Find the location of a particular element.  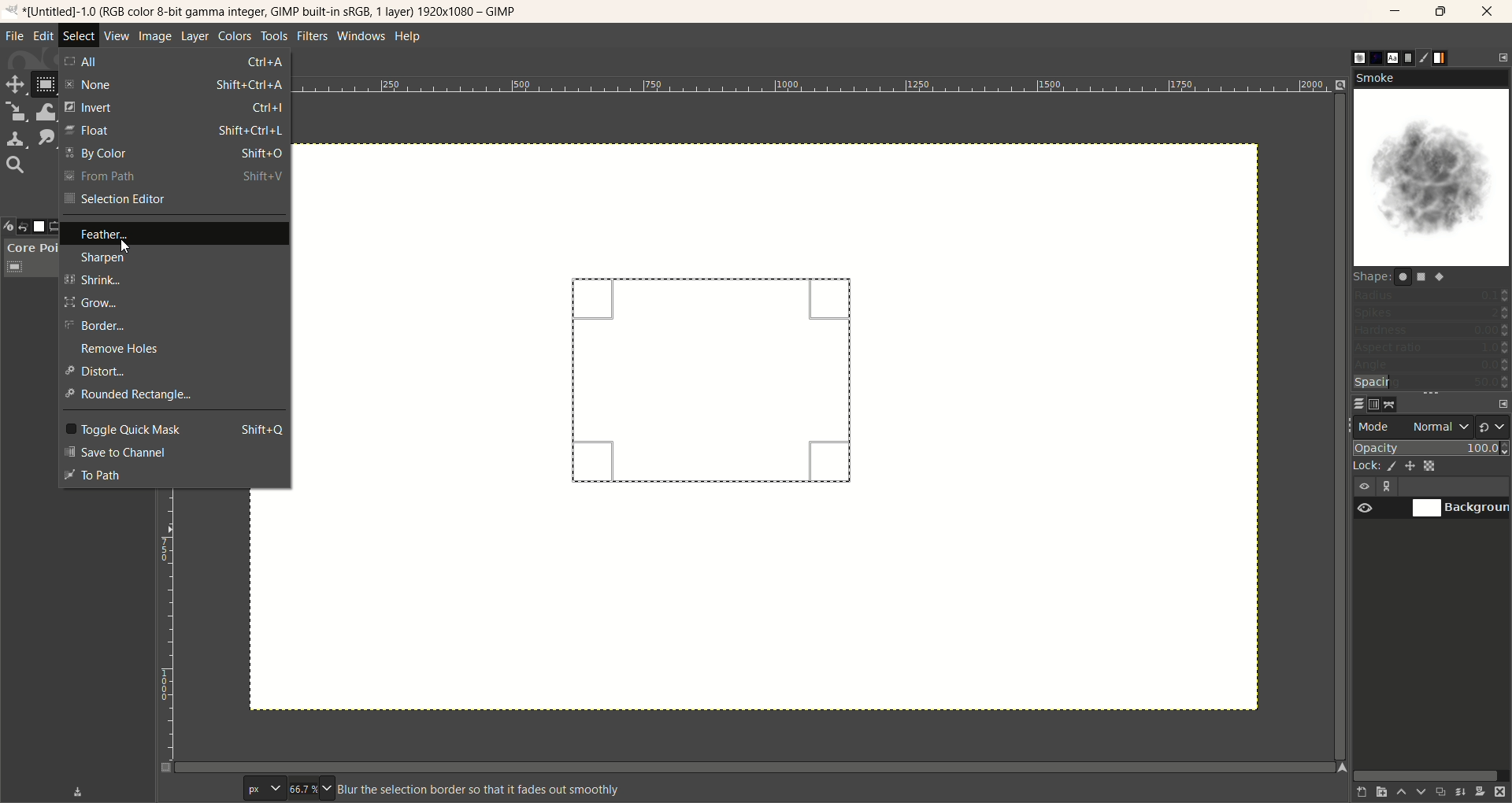

normal is located at coordinates (1435, 426).